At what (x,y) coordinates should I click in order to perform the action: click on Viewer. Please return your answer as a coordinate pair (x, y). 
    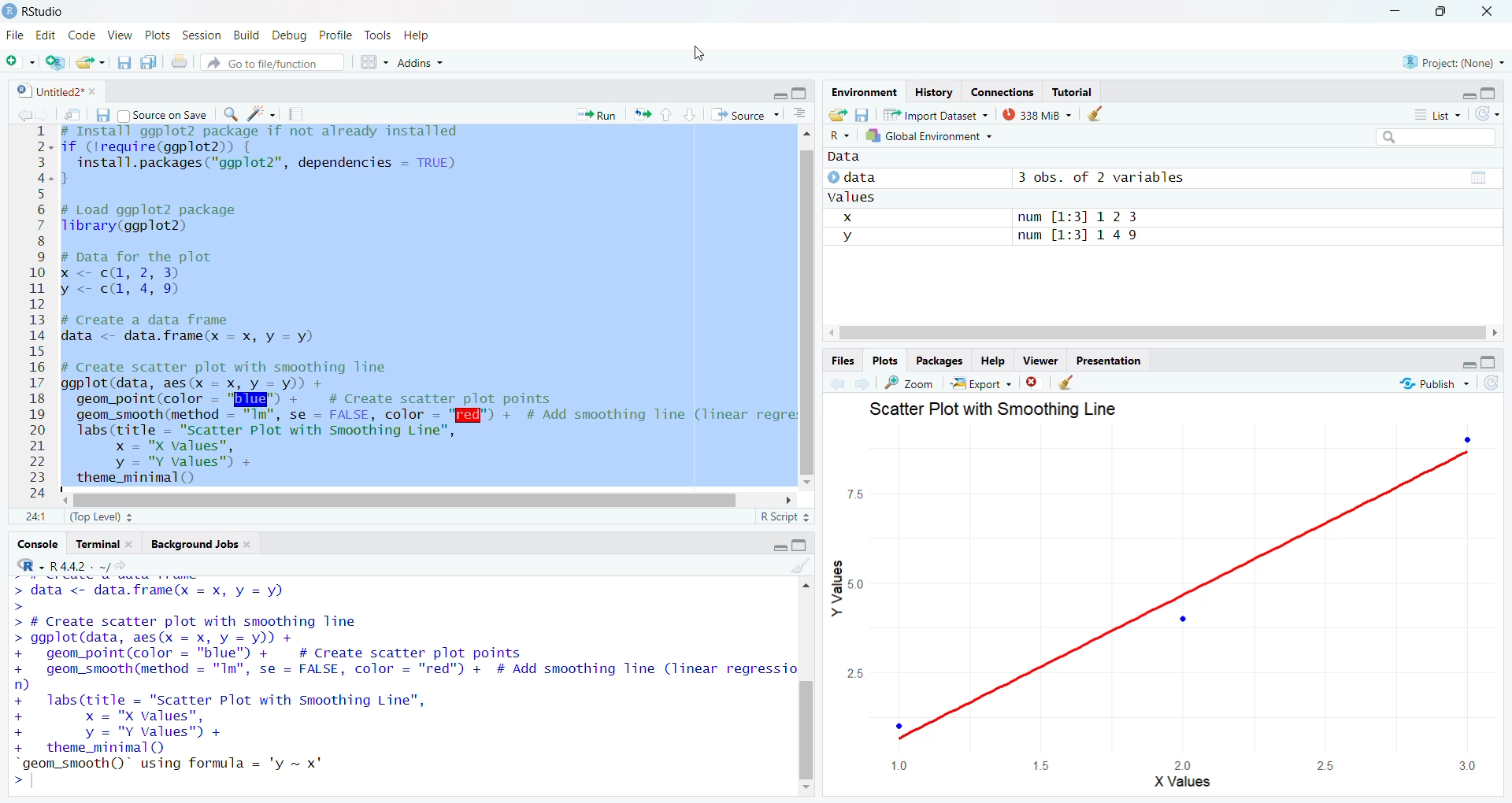
    Looking at the image, I should click on (1040, 360).